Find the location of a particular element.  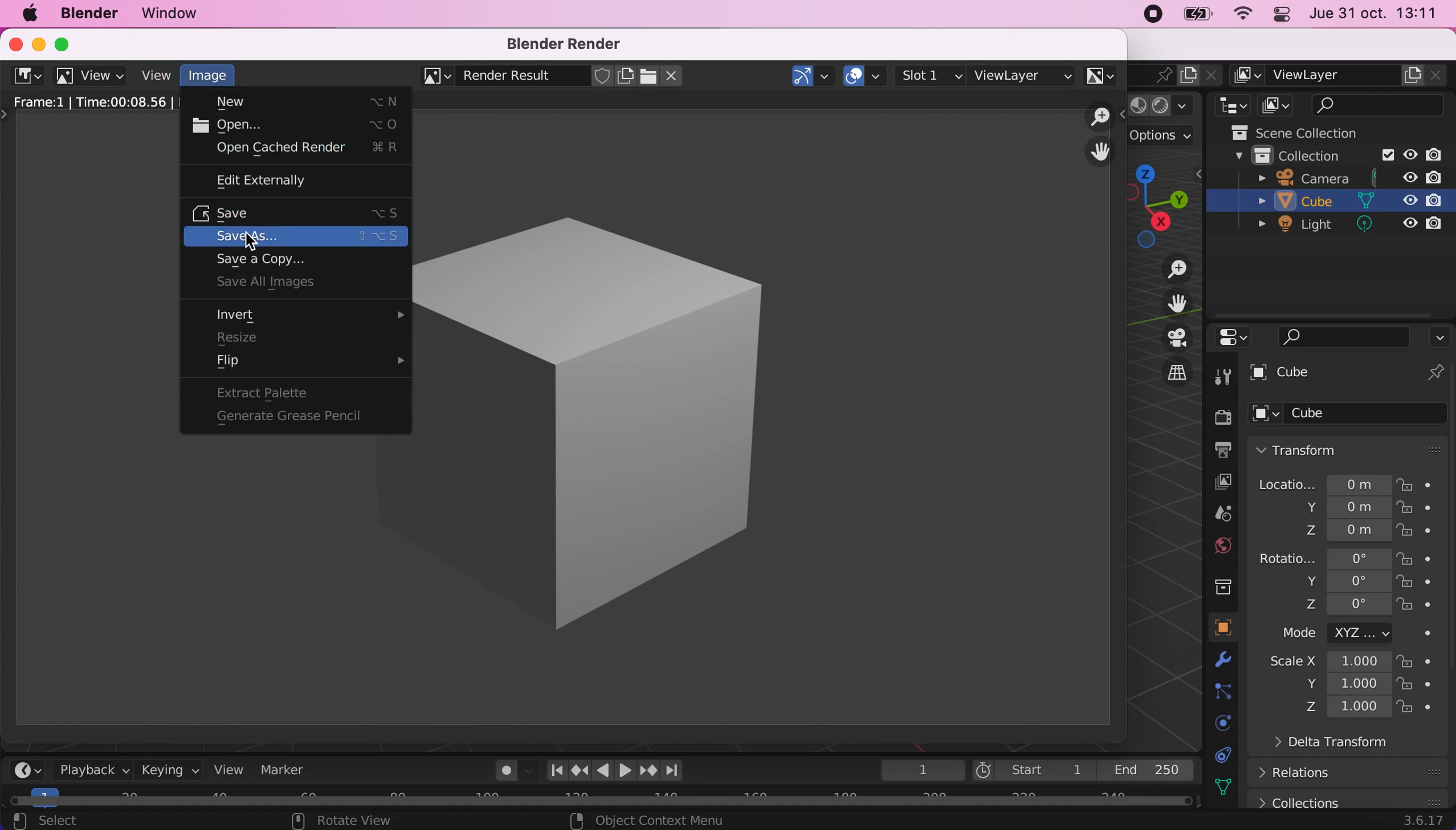

lock is located at coordinates (1417, 558).